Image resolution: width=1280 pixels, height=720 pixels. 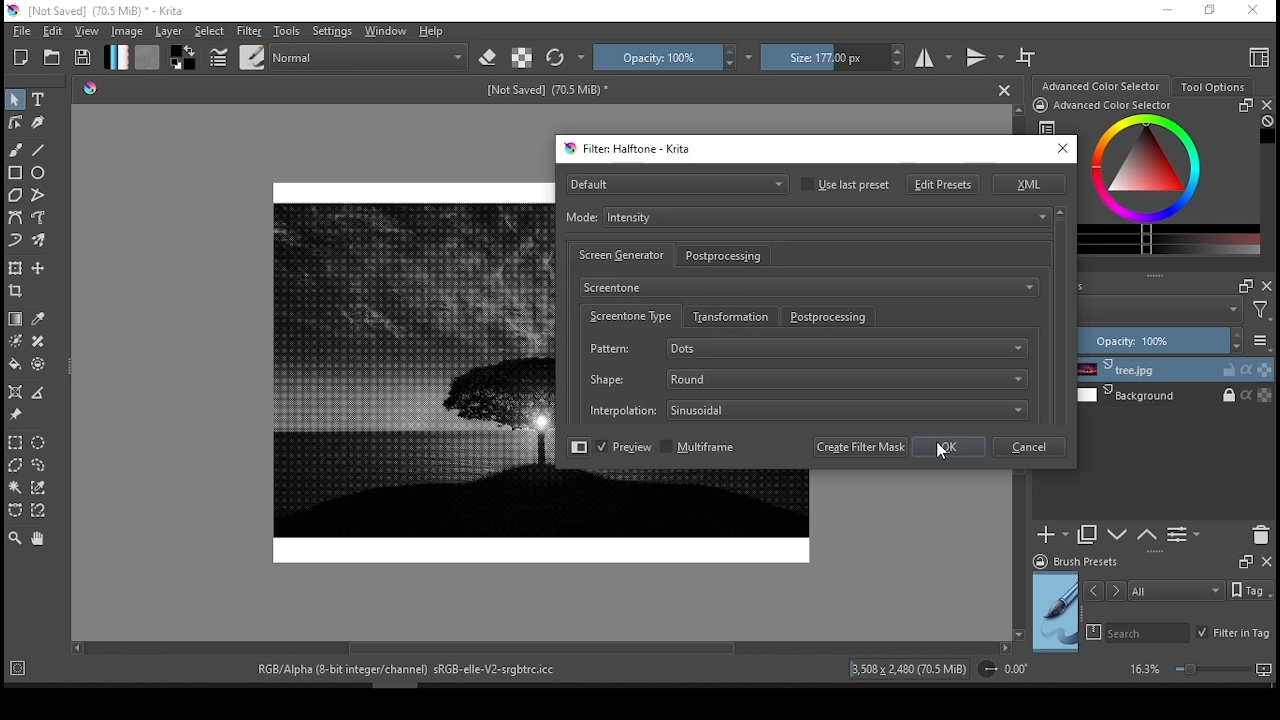 What do you see at coordinates (15, 292) in the screenshot?
I see `crop the image to an area` at bounding box center [15, 292].